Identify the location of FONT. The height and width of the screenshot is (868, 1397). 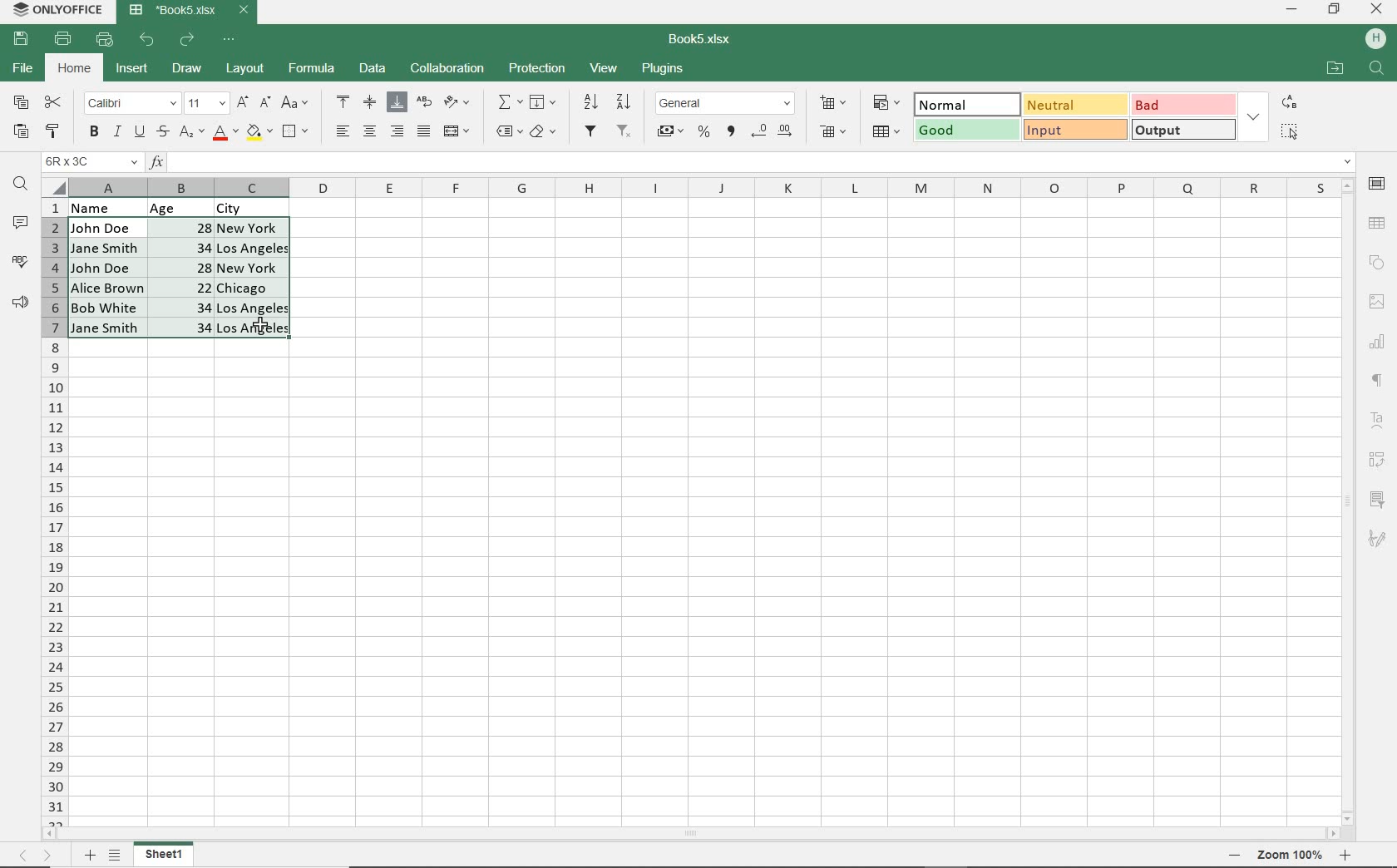
(130, 102).